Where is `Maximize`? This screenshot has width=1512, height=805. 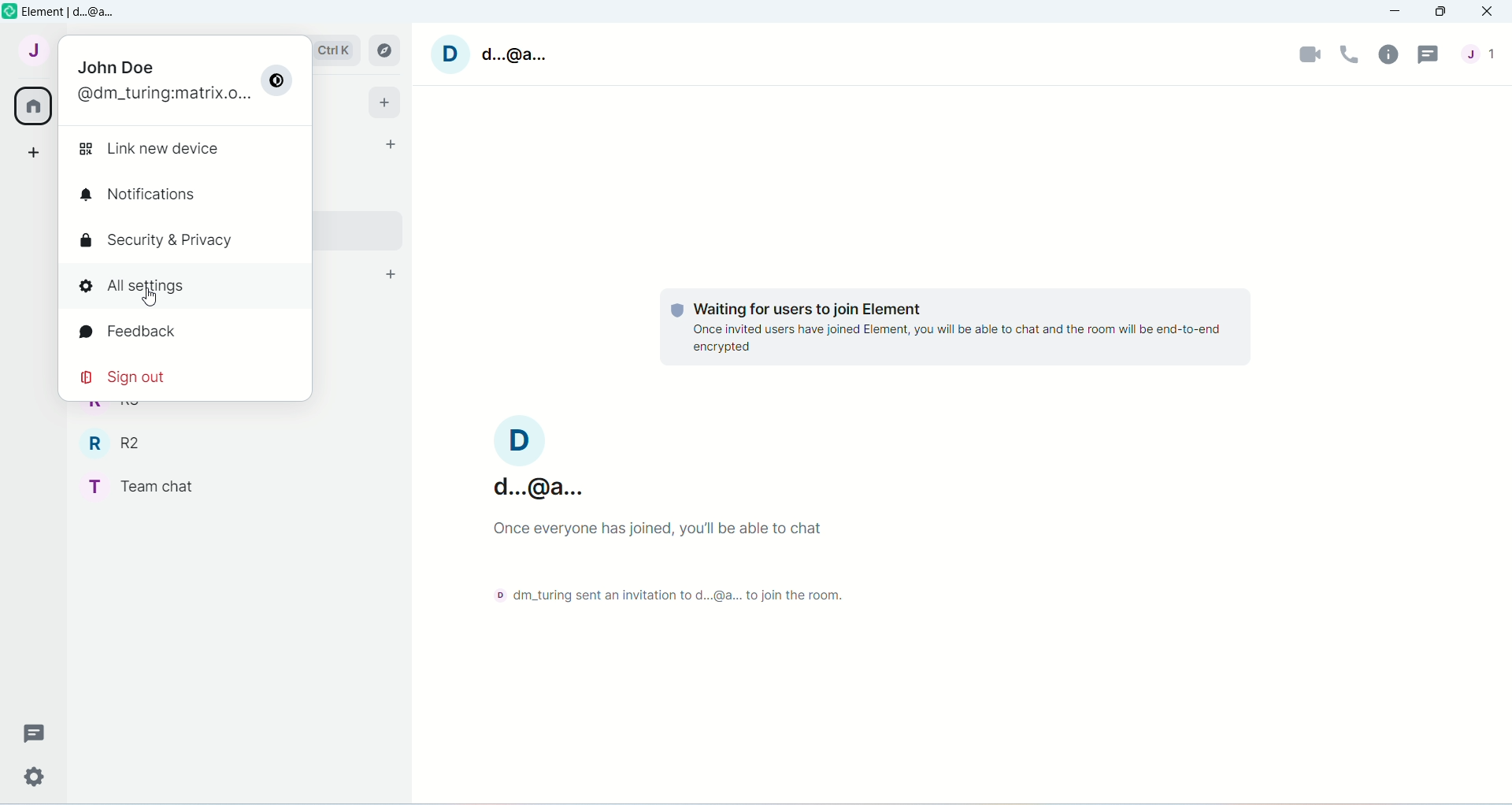
Maximize is located at coordinates (1444, 11).